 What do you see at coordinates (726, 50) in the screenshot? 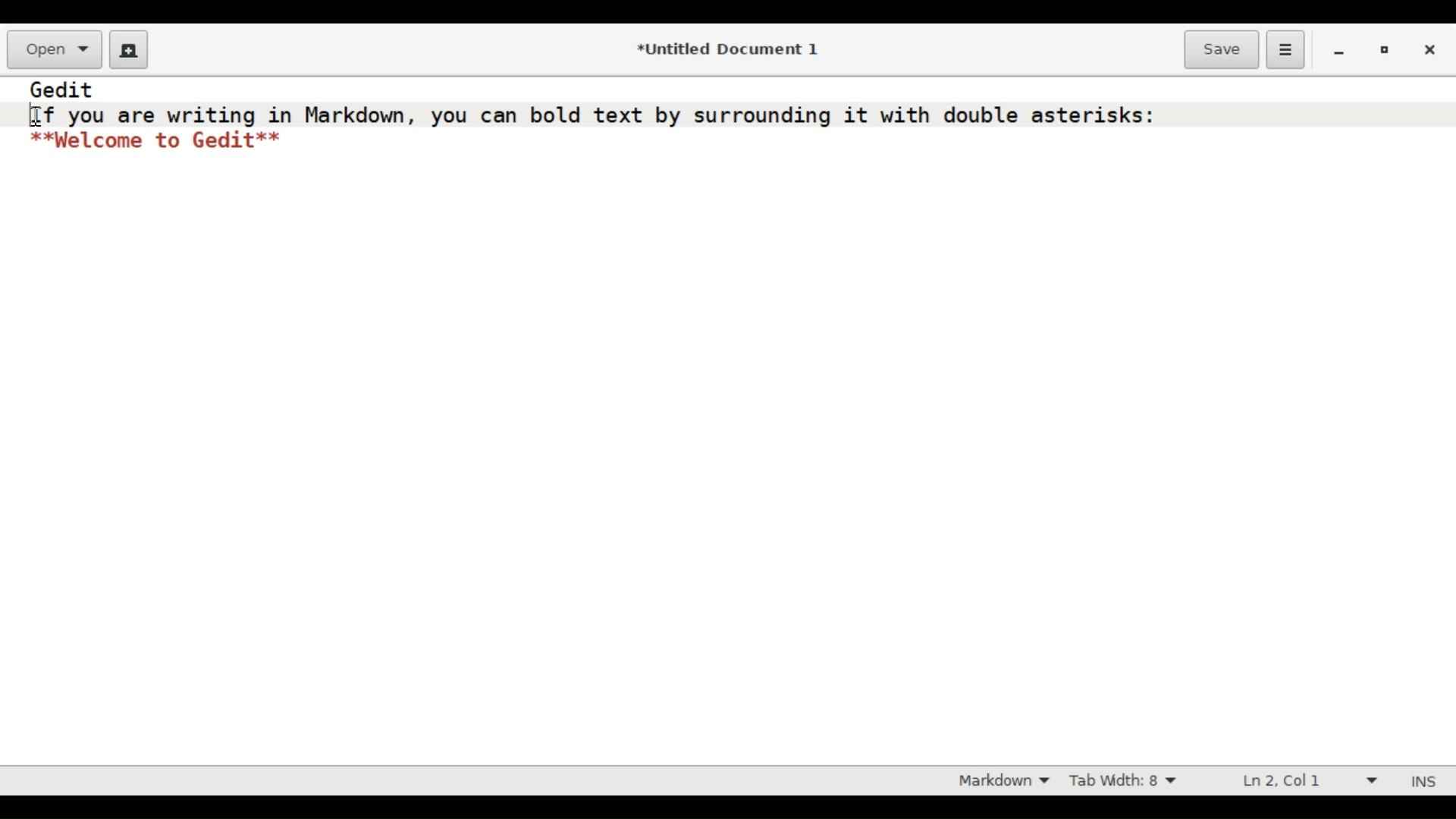
I see `*Untitled Document 1` at bounding box center [726, 50].